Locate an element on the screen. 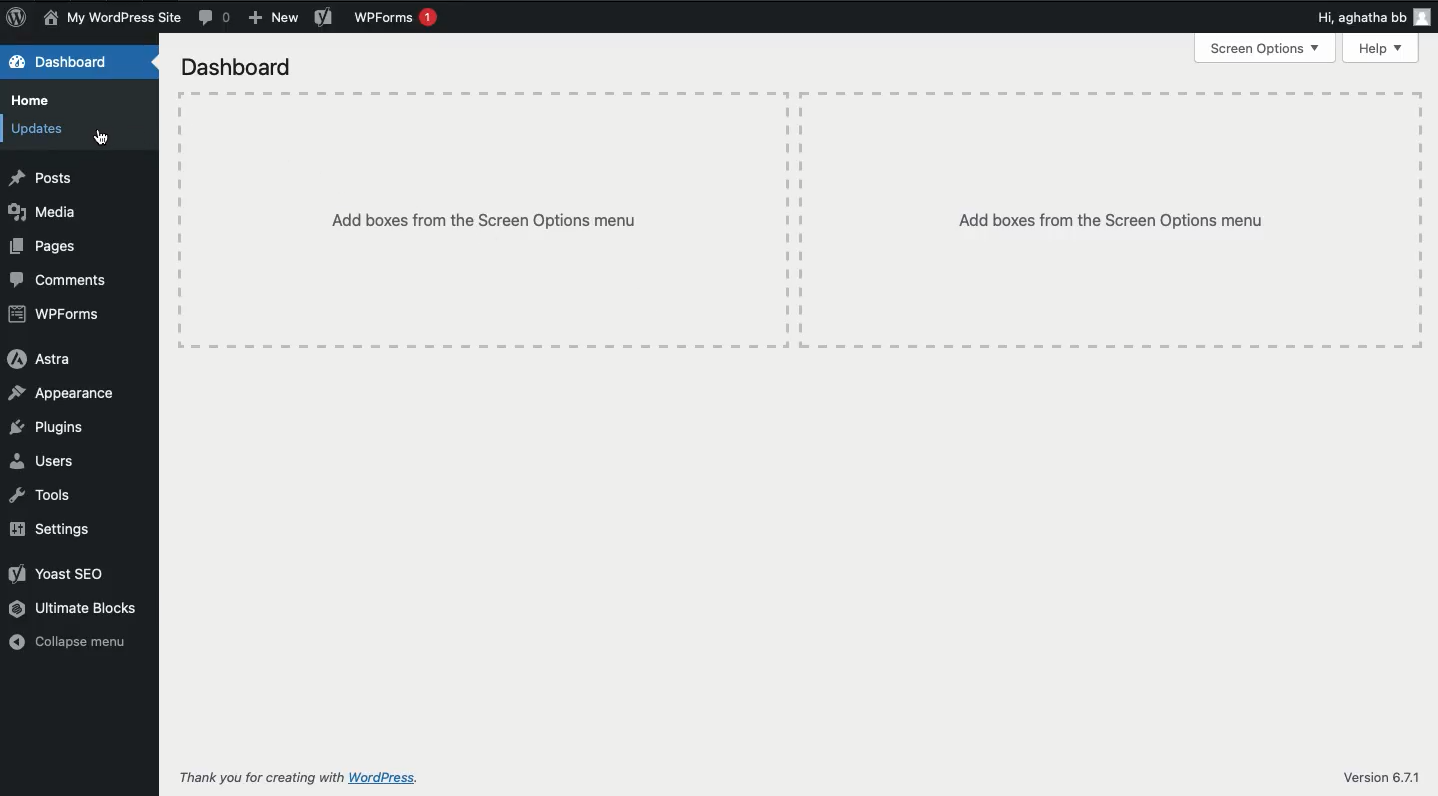 The width and height of the screenshot is (1438, 796). Name is located at coordinates (116, 18).